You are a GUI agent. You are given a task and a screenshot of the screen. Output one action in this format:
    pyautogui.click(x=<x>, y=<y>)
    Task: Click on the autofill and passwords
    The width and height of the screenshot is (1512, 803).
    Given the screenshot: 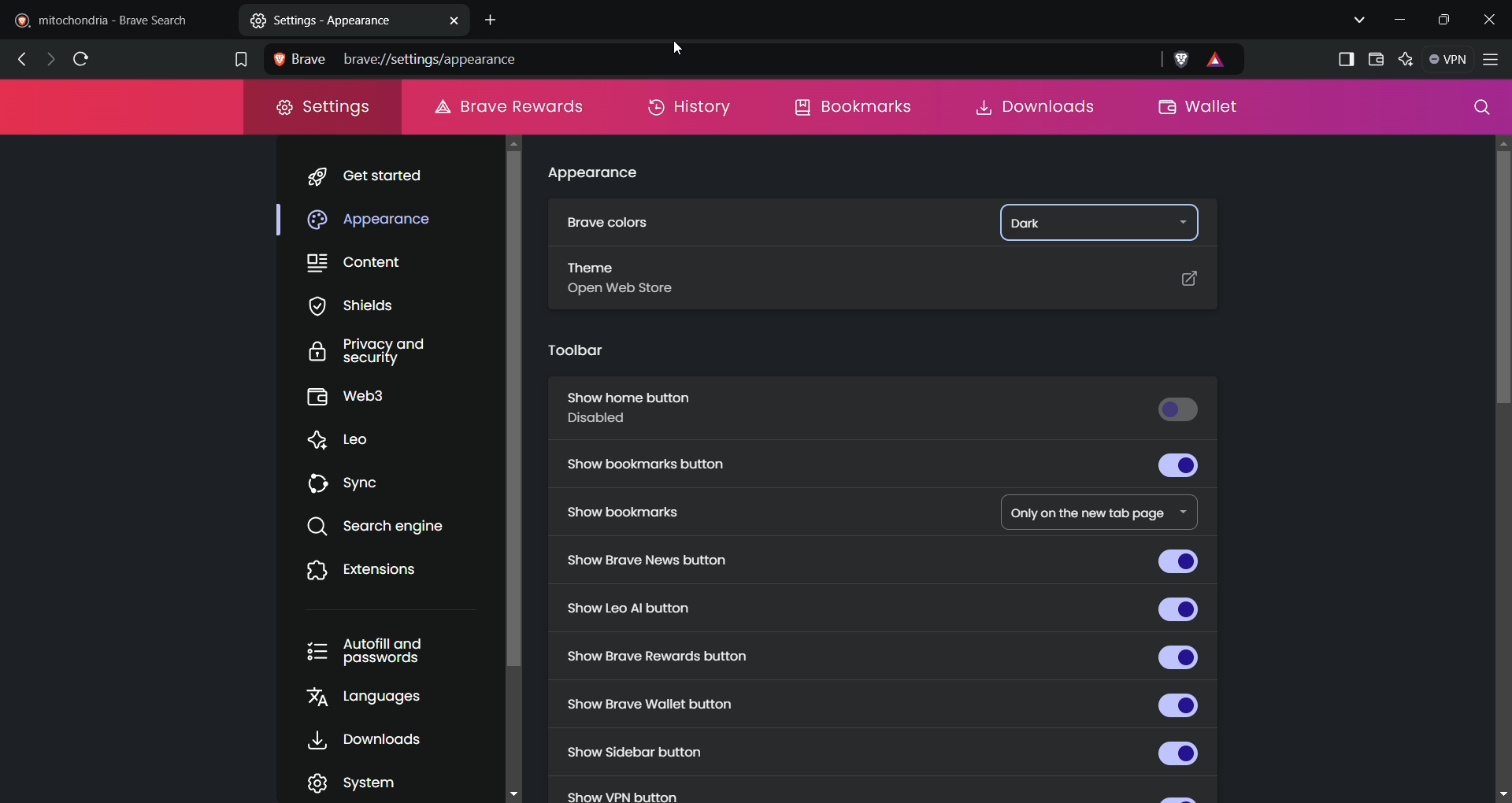 What is the action you would take?
    pyautogui.click(x=371, y=649)
    